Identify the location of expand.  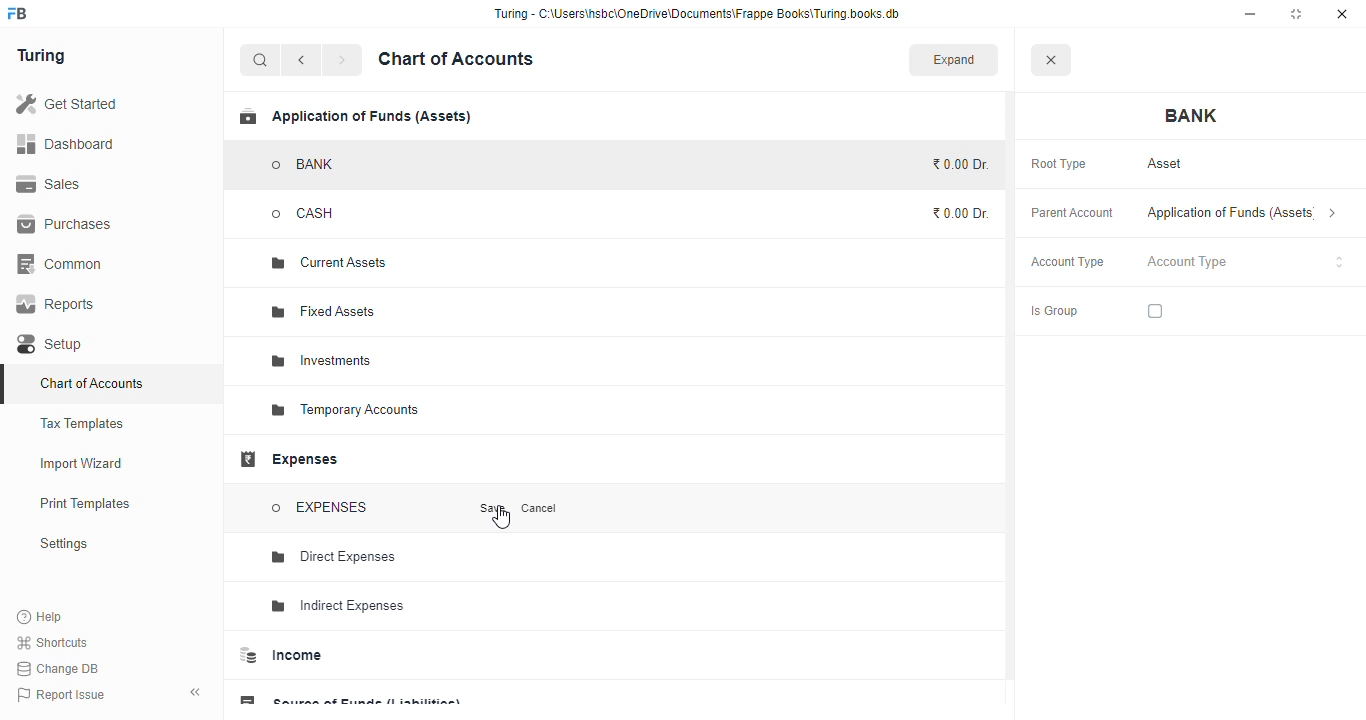
(954, 59).